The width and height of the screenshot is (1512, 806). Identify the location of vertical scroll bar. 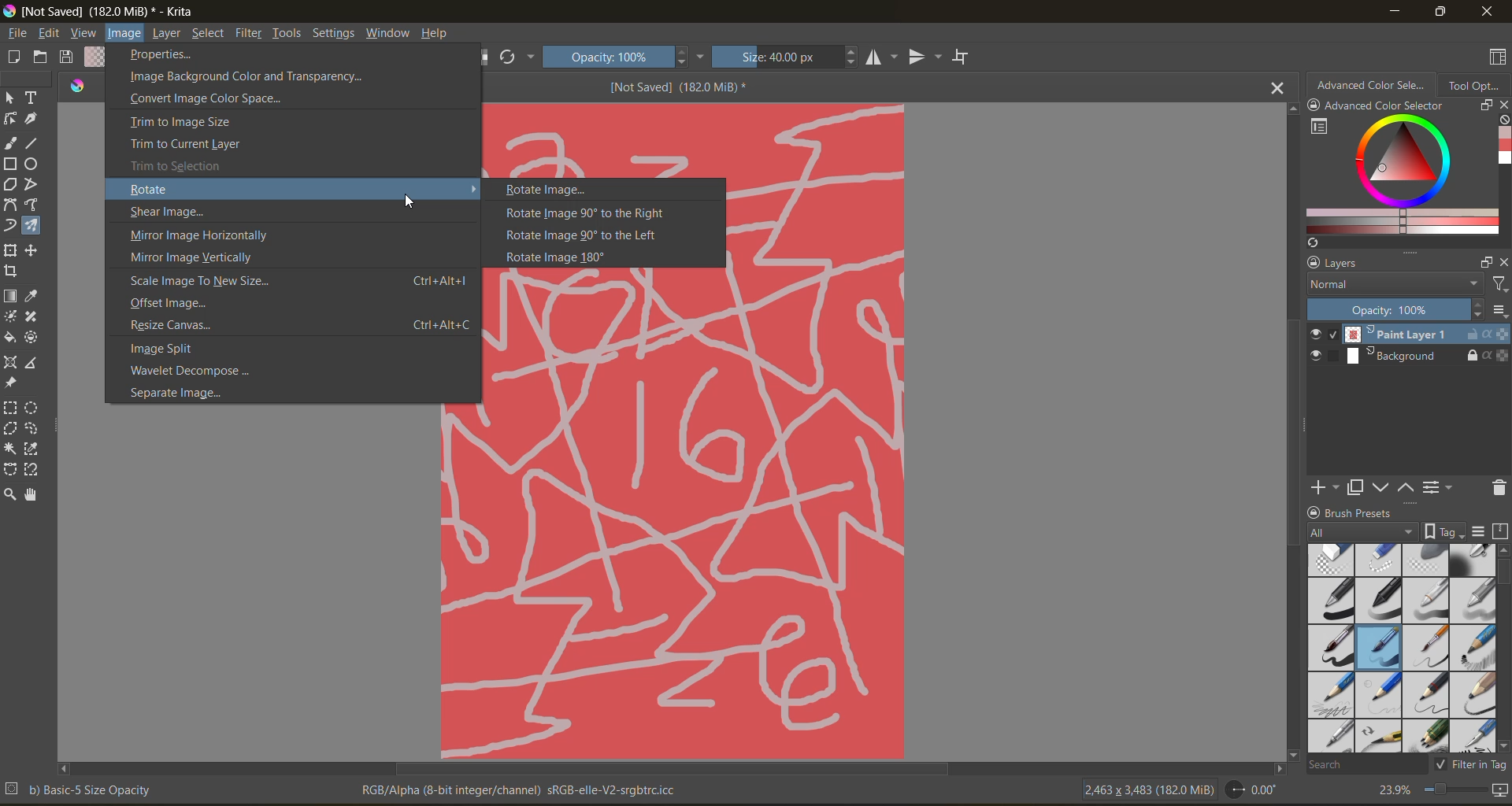
(1503, 571).